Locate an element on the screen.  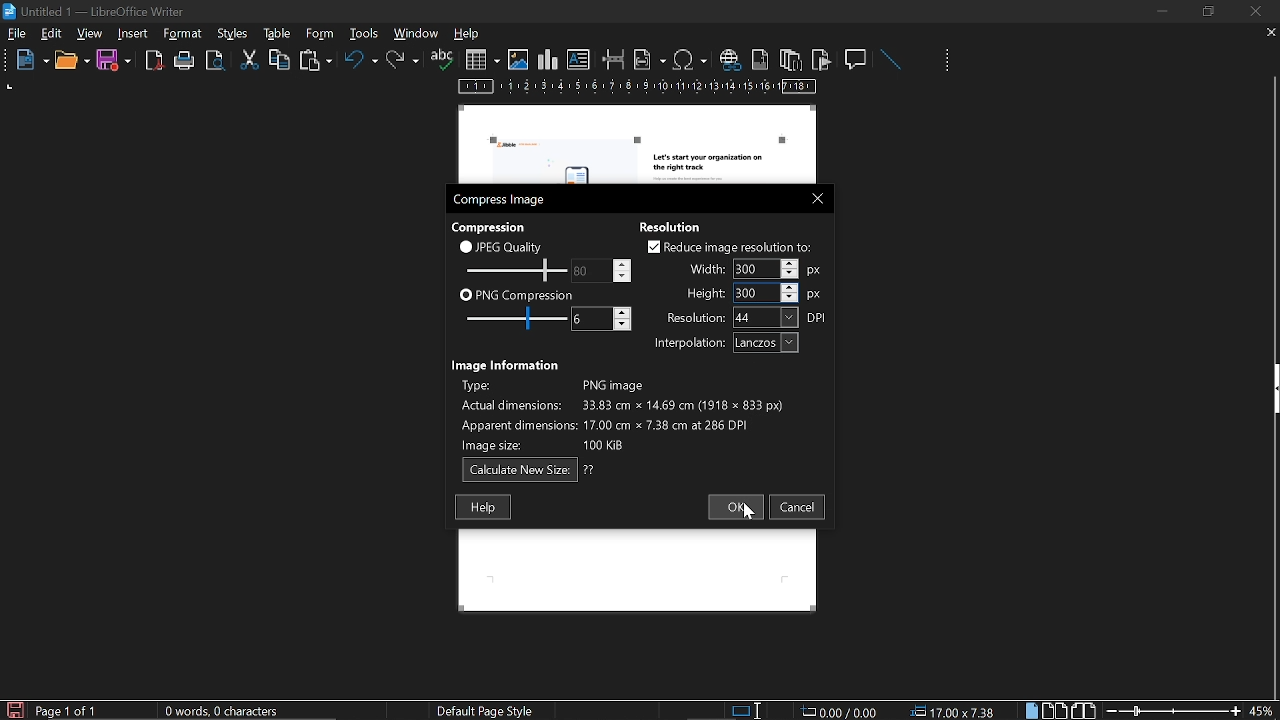
jpeg quality scale is located at coordinates (513, 269).